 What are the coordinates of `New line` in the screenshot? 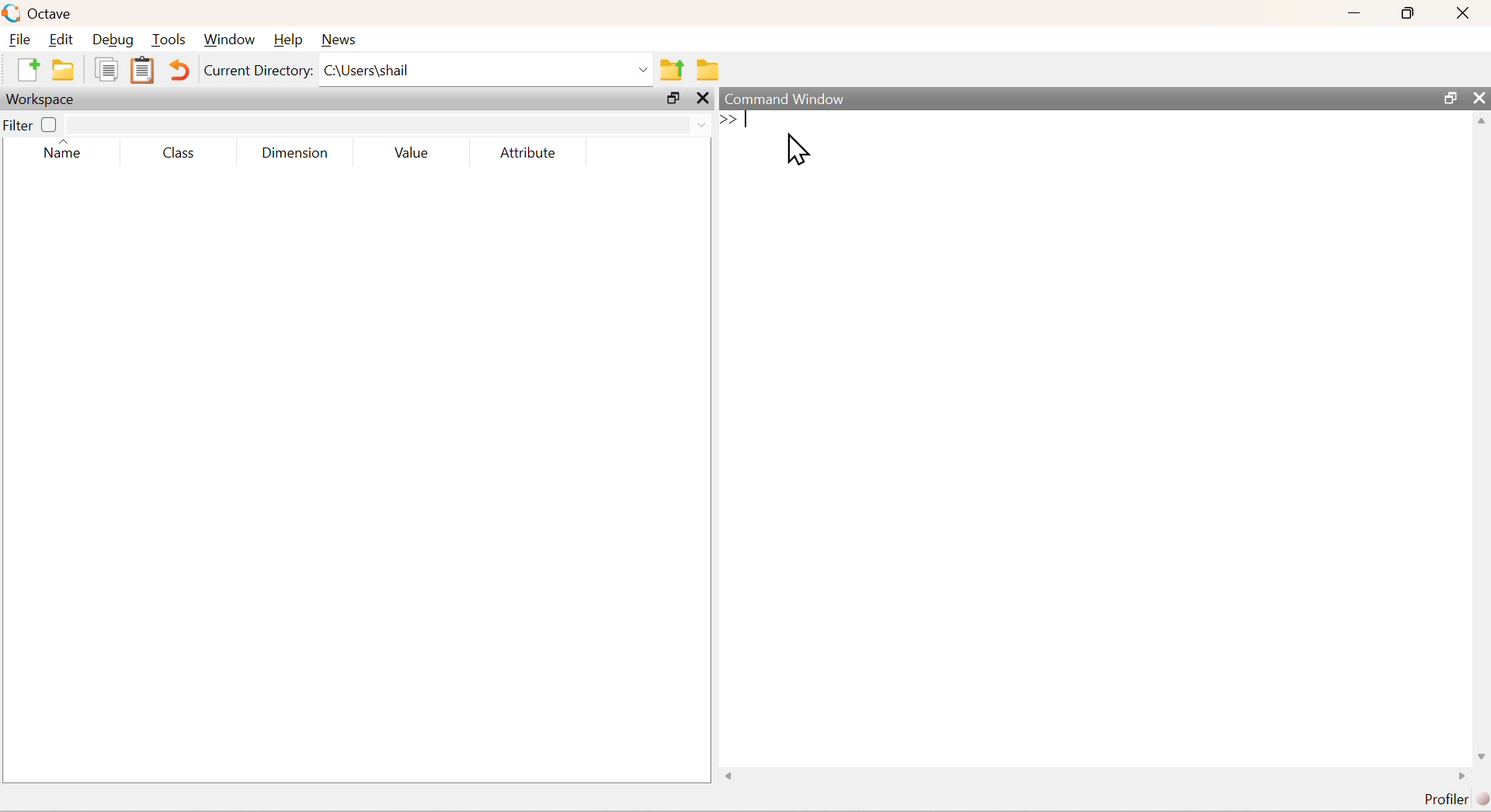 It's located at (726, 120).